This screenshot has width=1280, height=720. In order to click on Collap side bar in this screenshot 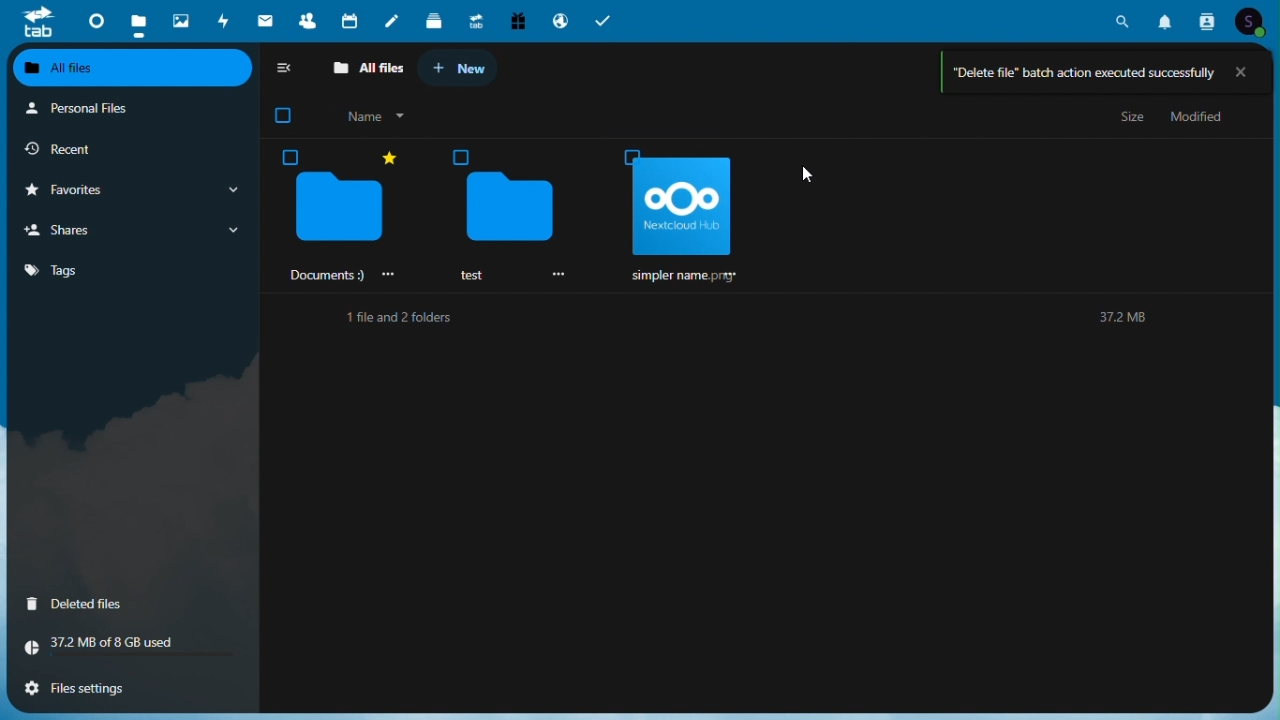, I will do `click(286, 71)`.